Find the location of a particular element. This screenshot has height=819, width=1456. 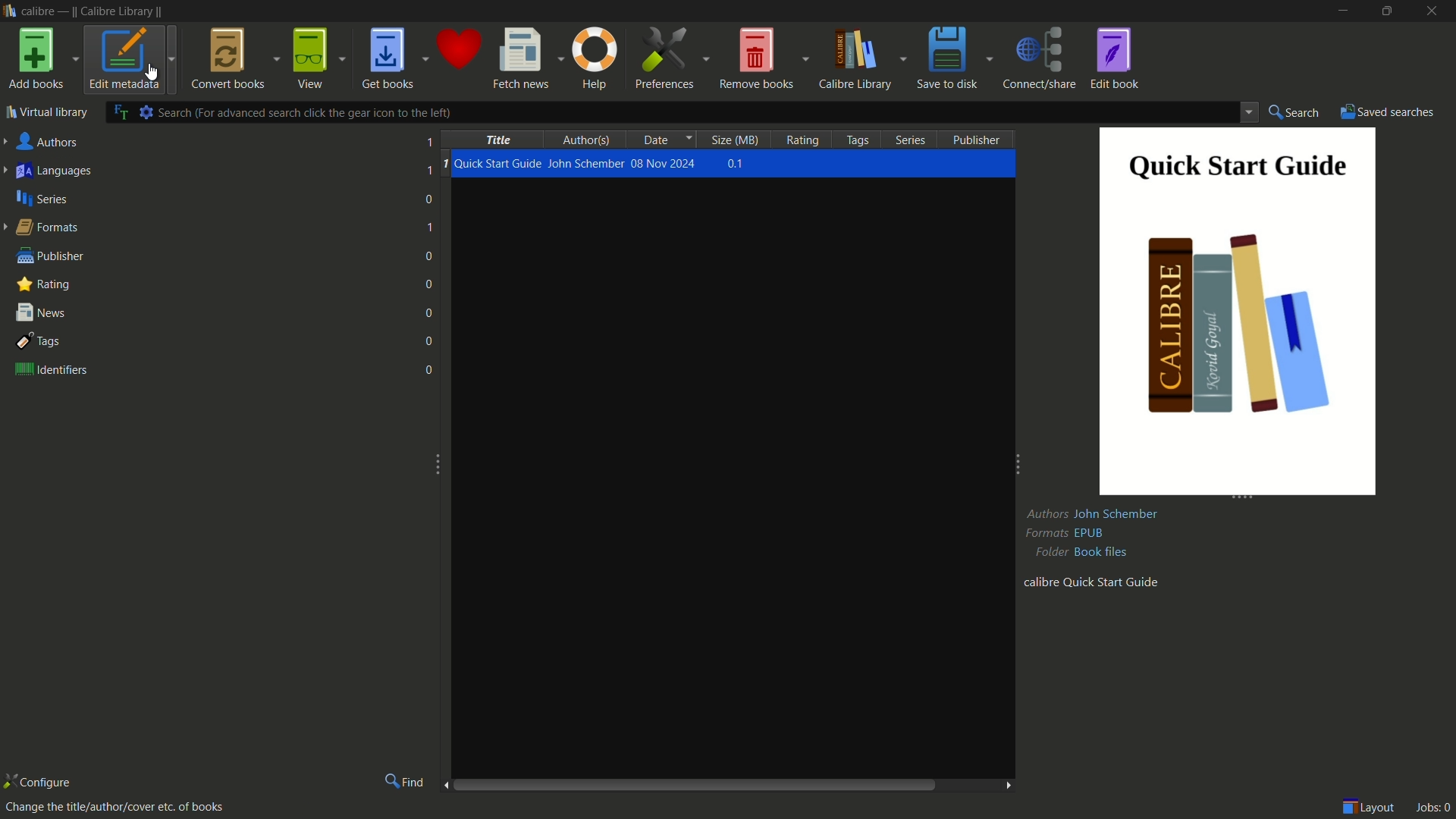

find is located at coordinates (404, 781).